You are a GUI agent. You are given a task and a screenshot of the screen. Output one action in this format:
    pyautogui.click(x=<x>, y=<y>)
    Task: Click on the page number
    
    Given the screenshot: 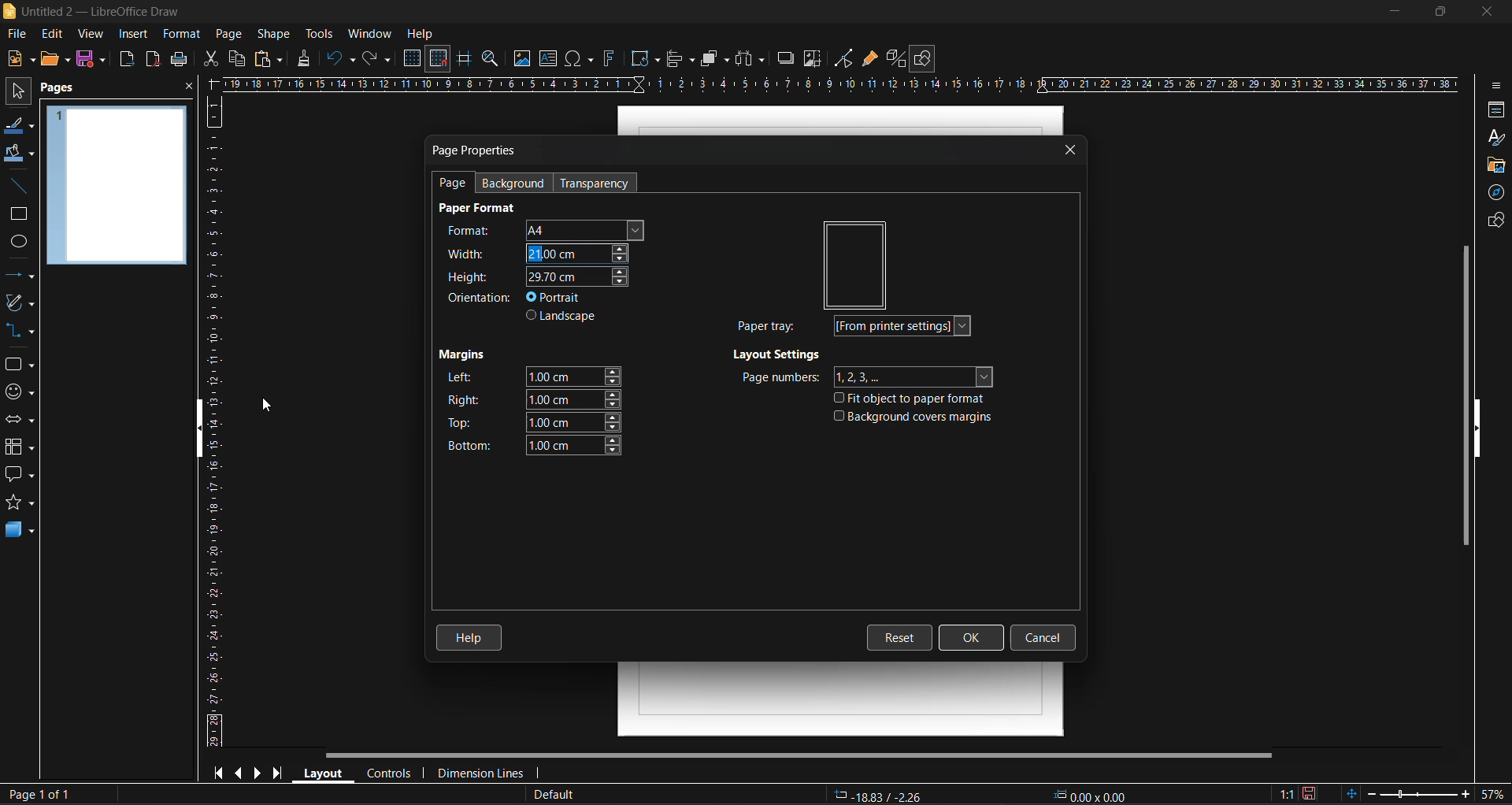 What is the action you would take?
    pyautogui.click(x=38, y=792)
    